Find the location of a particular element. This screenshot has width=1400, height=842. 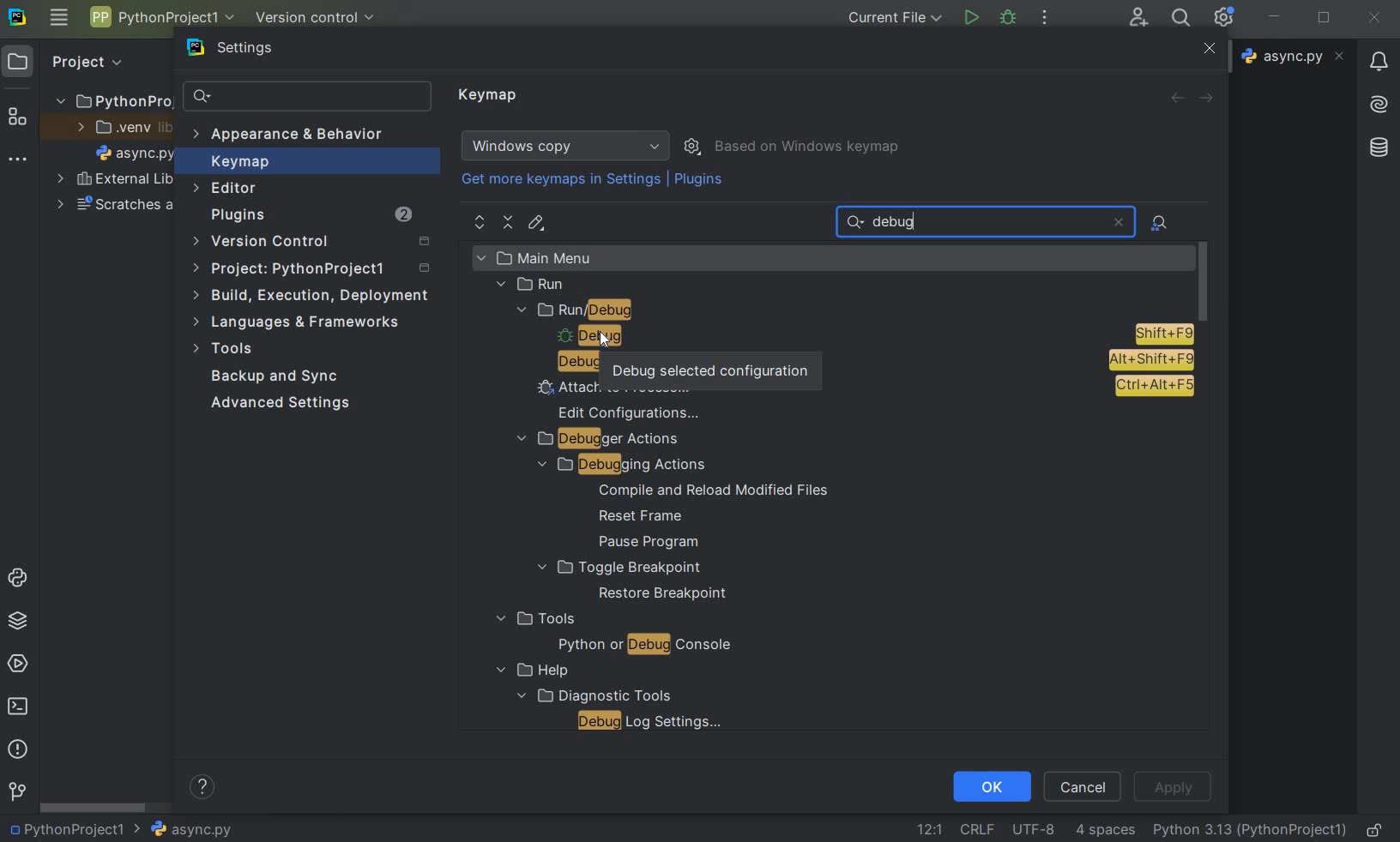

reset frame is located at coordinates (636, 517).